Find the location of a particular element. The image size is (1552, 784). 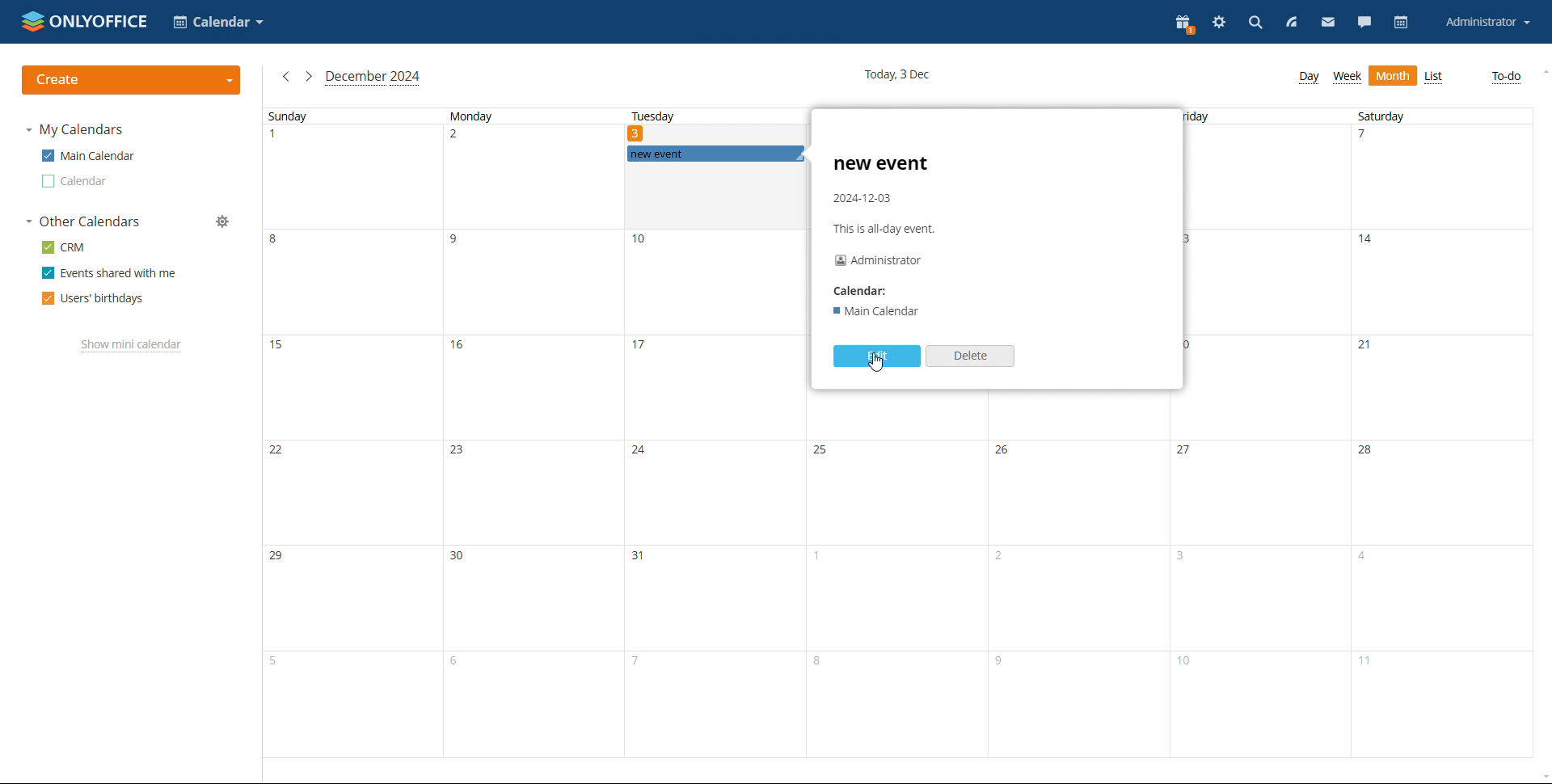

create is located at coordinates (132, 80).